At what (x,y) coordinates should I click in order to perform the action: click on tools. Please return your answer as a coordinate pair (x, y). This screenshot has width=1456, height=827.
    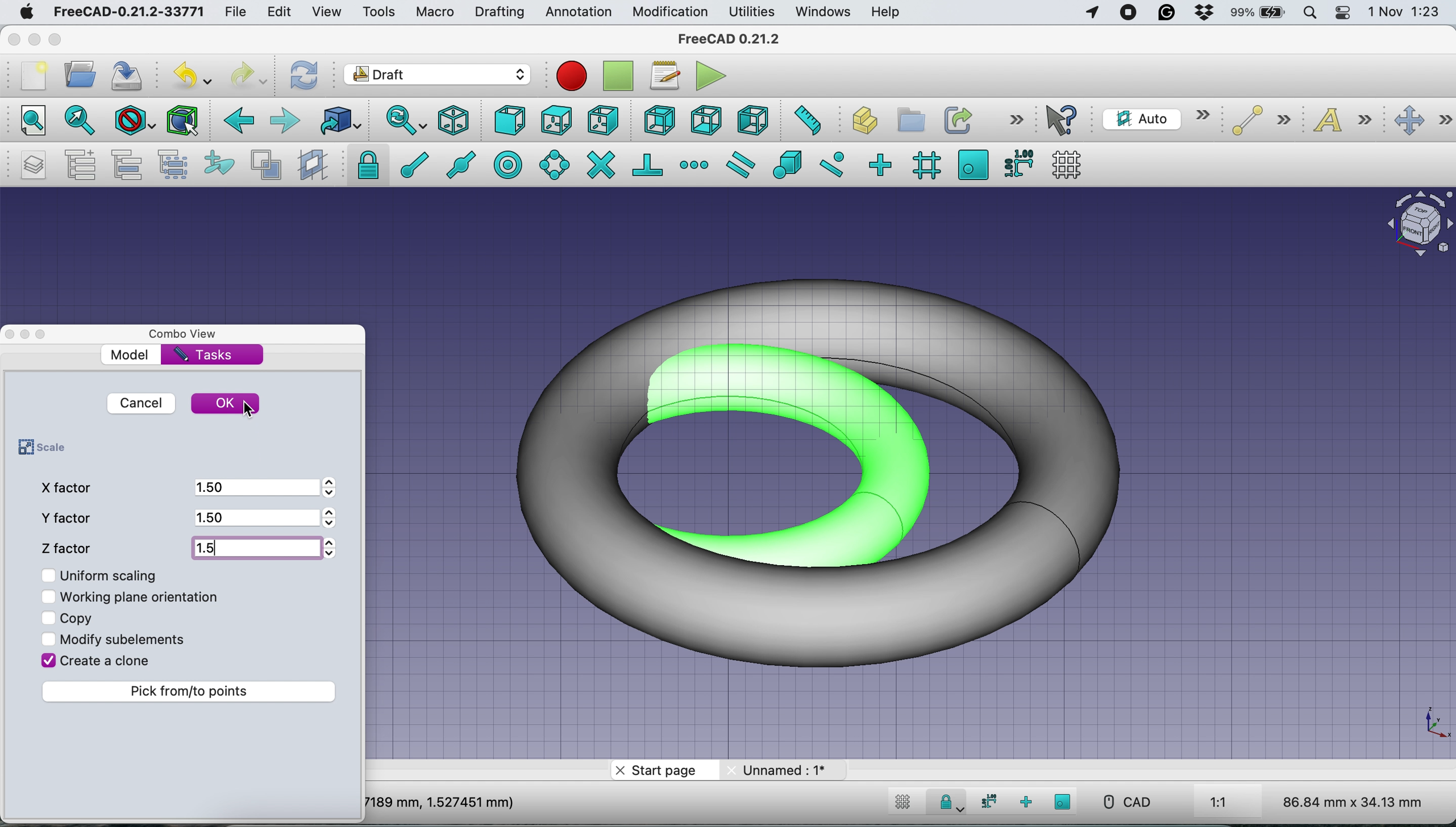
    Looking at the image, I should click on (375, 11).